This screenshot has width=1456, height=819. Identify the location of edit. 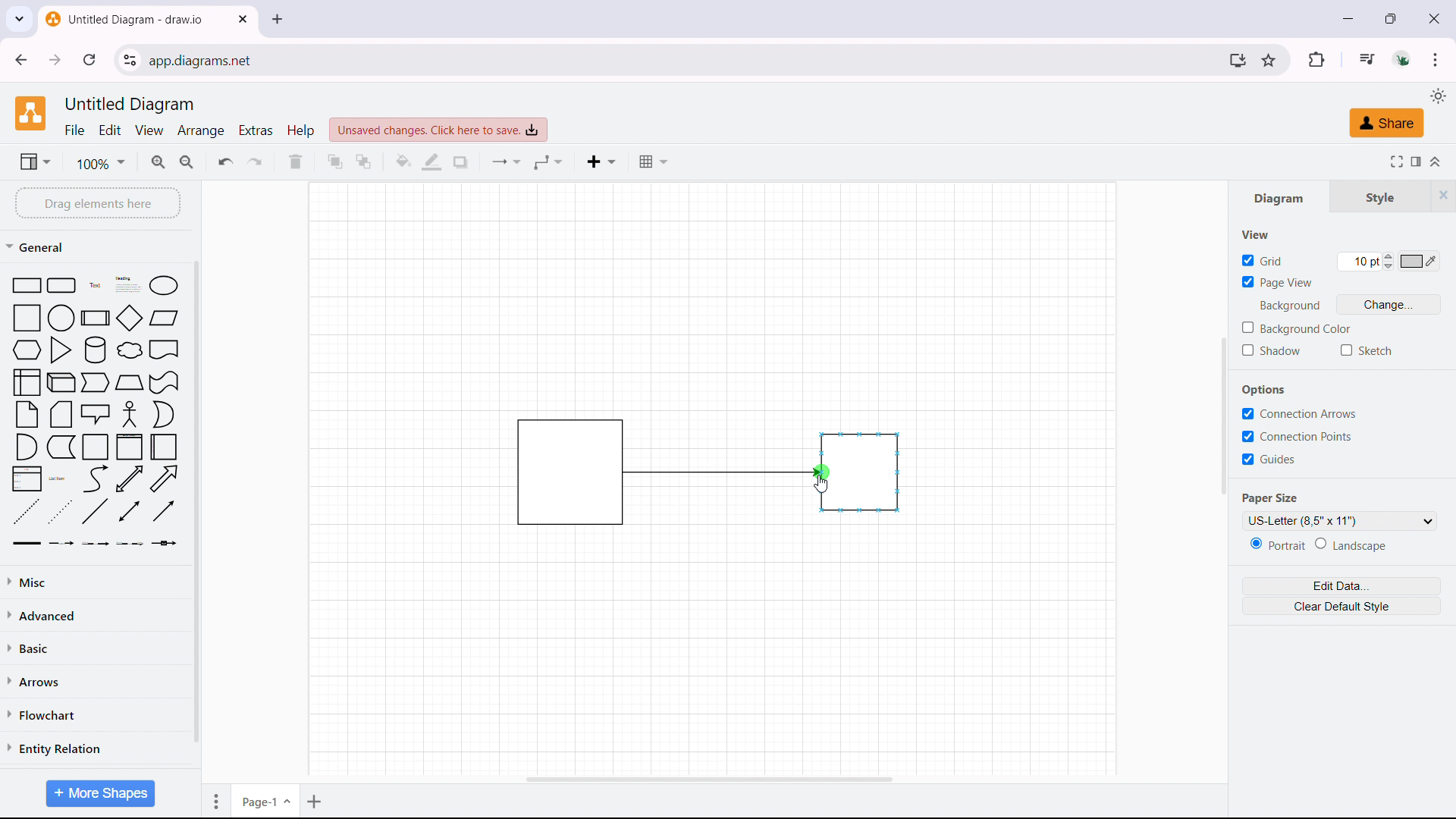
(111, 130).